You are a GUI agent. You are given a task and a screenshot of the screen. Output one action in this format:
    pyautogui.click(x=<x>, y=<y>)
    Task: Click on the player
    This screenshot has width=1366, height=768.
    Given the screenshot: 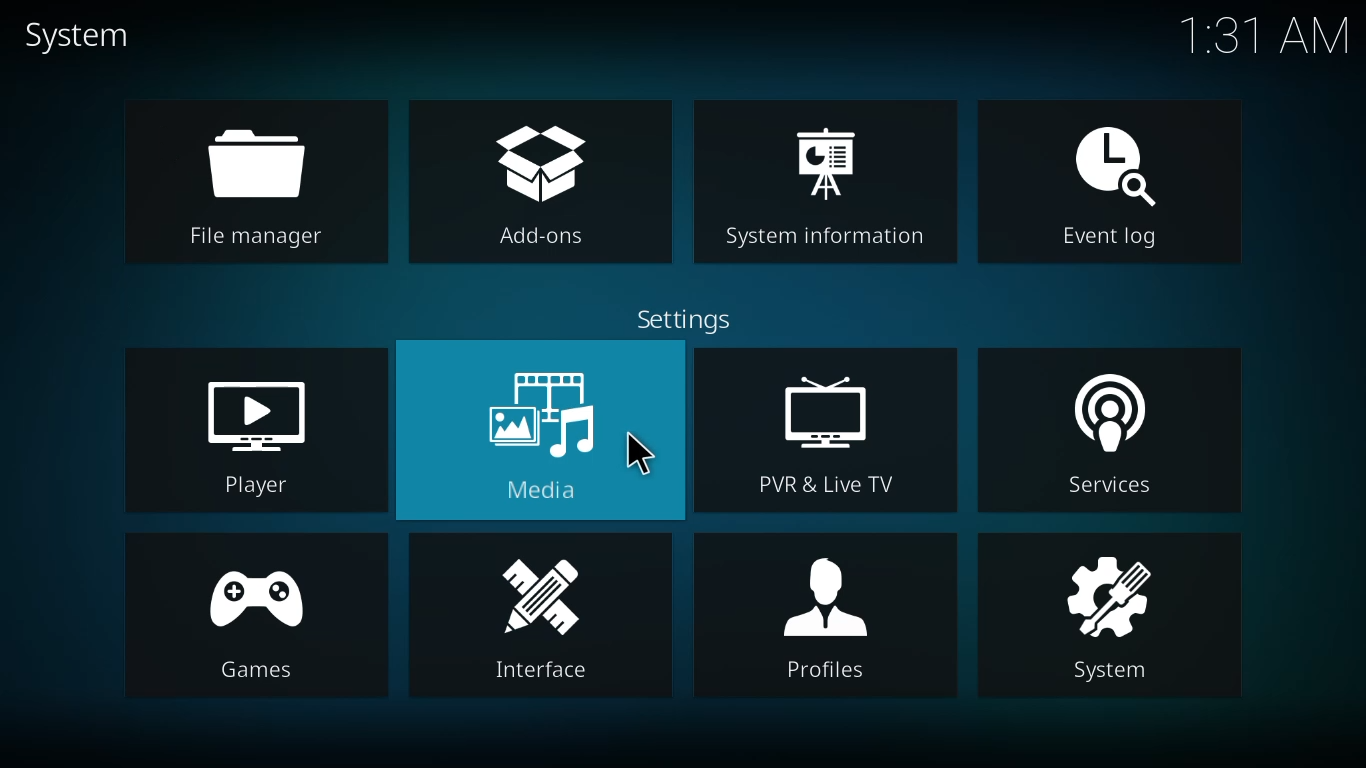 What is the action you would take?
    pyautogui.click(x=267, y=433)
    